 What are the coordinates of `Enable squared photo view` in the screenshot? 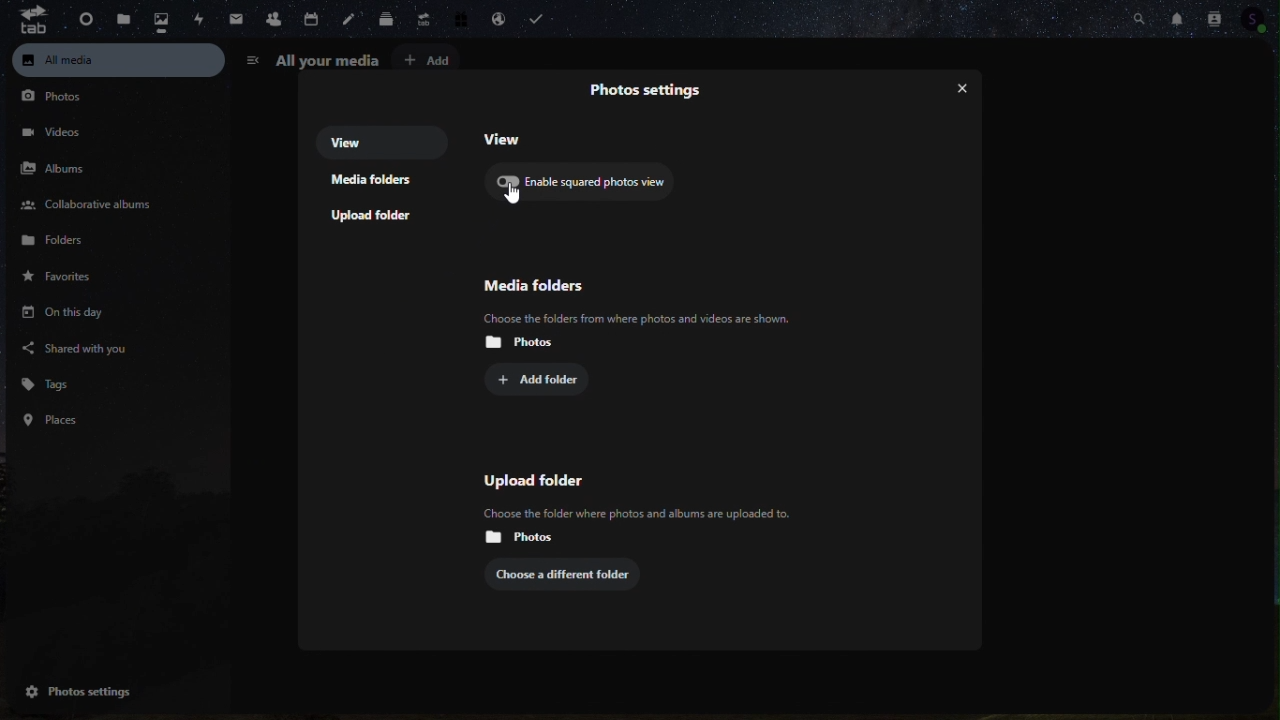 It's located at (589, 185).